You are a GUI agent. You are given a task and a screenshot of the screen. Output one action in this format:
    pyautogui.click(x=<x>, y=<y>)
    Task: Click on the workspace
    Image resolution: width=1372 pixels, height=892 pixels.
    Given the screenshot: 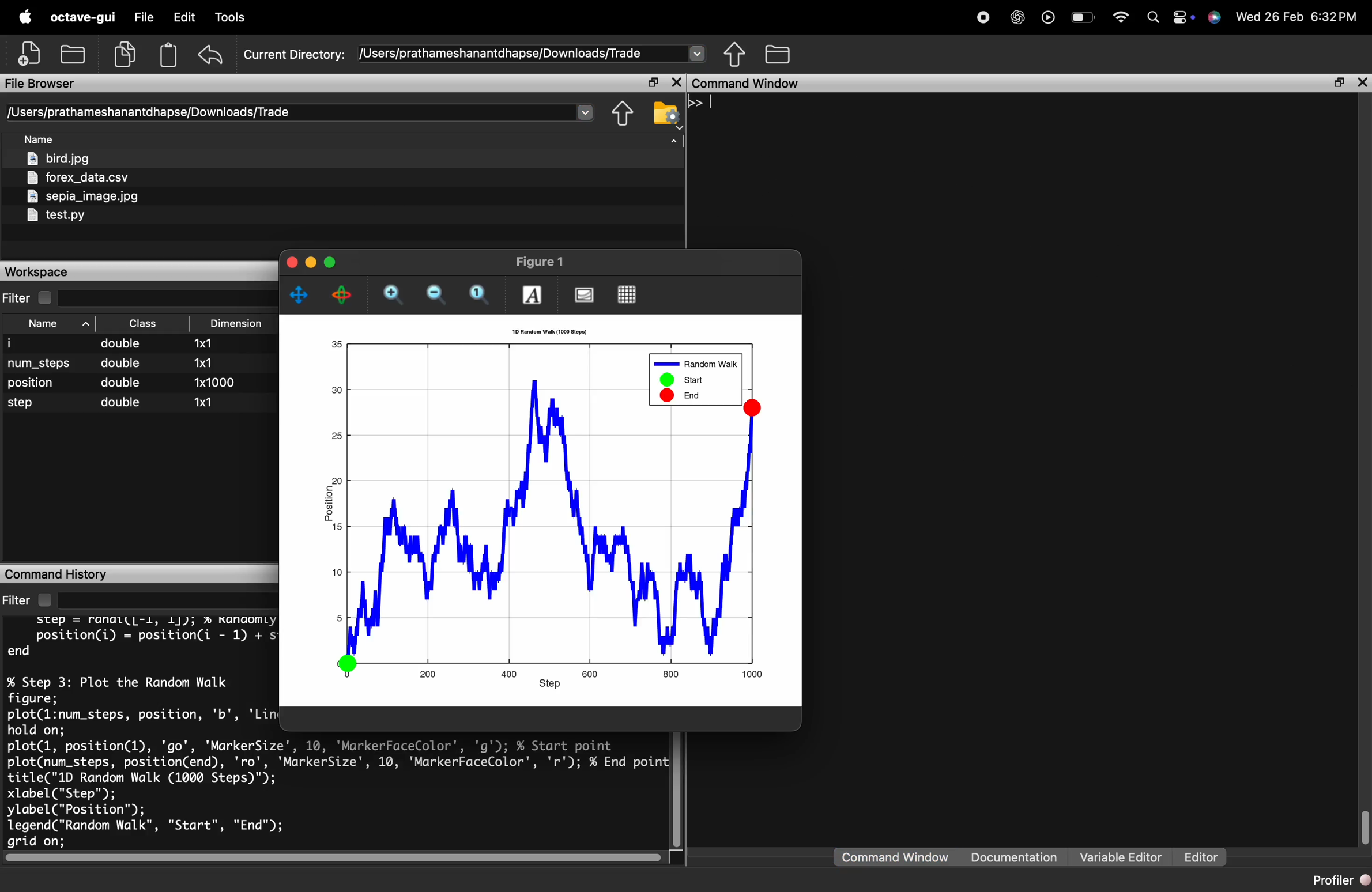 What is the action you would take?
    pyautogui.click(x=43, y=272)
    